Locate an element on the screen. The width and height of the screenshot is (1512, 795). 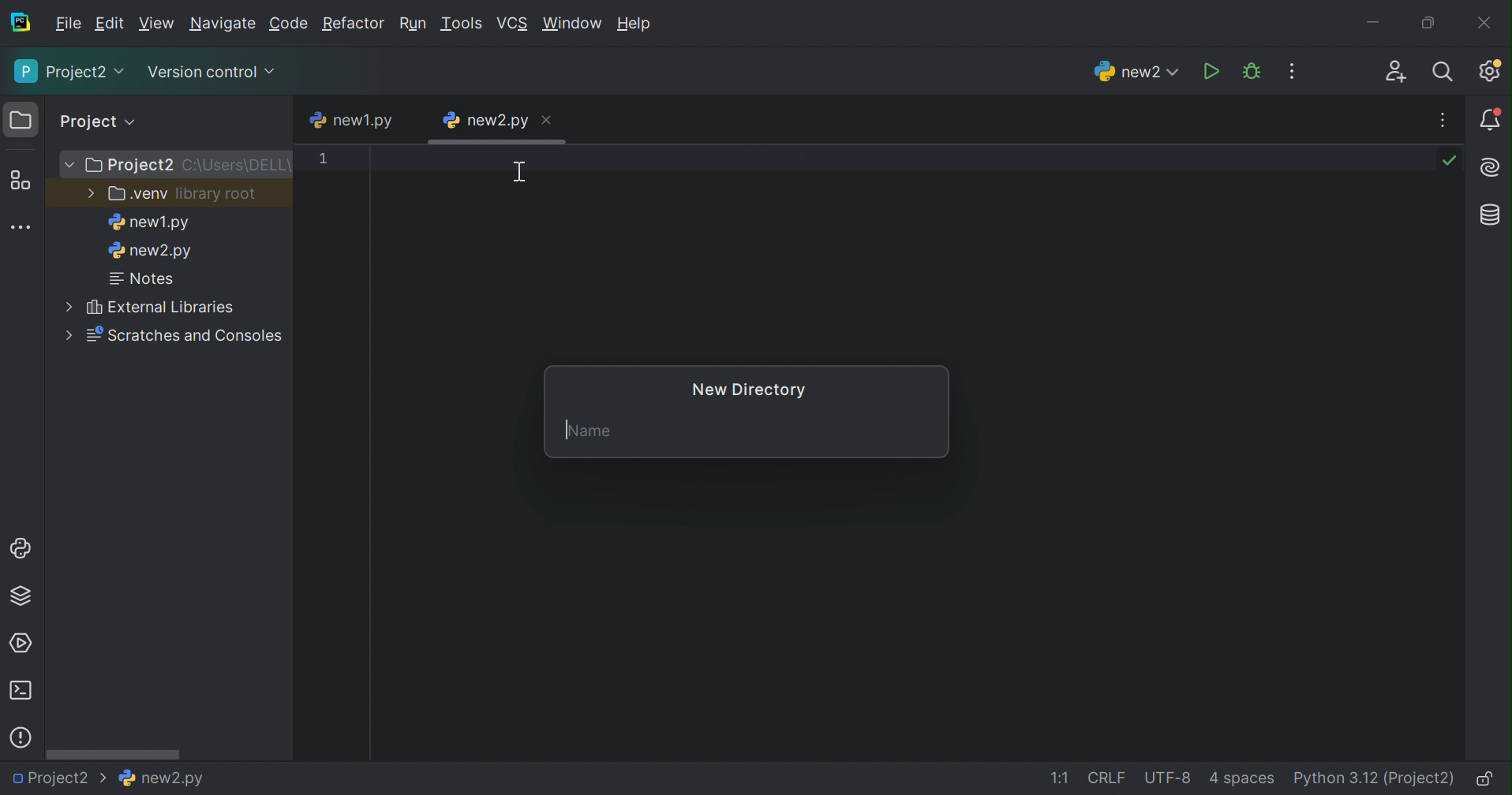
Python Packages is located at coordinates (24, 599).